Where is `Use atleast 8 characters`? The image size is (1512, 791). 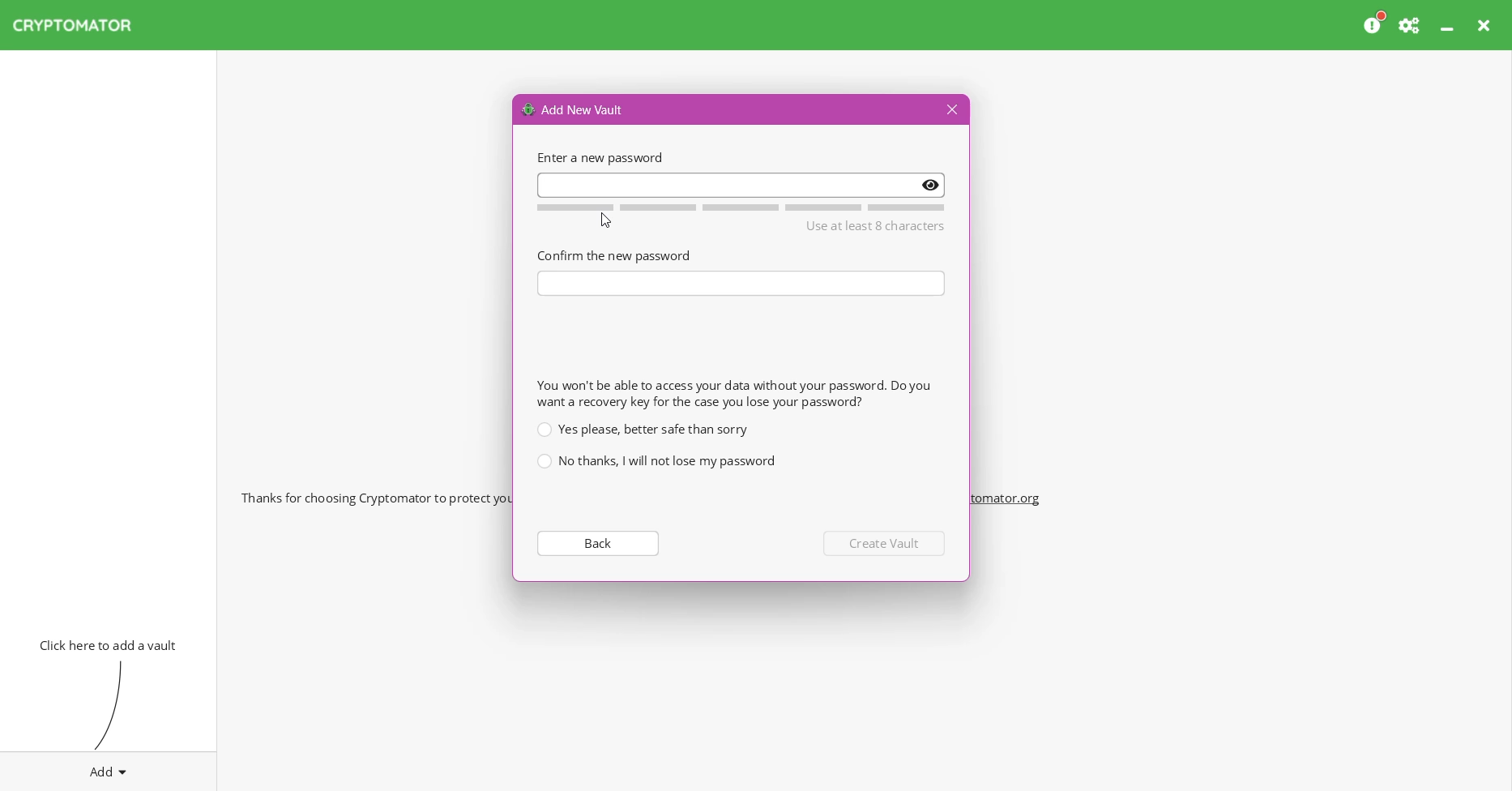
Use atleast 8 characters is located at coordinates (876, 227).